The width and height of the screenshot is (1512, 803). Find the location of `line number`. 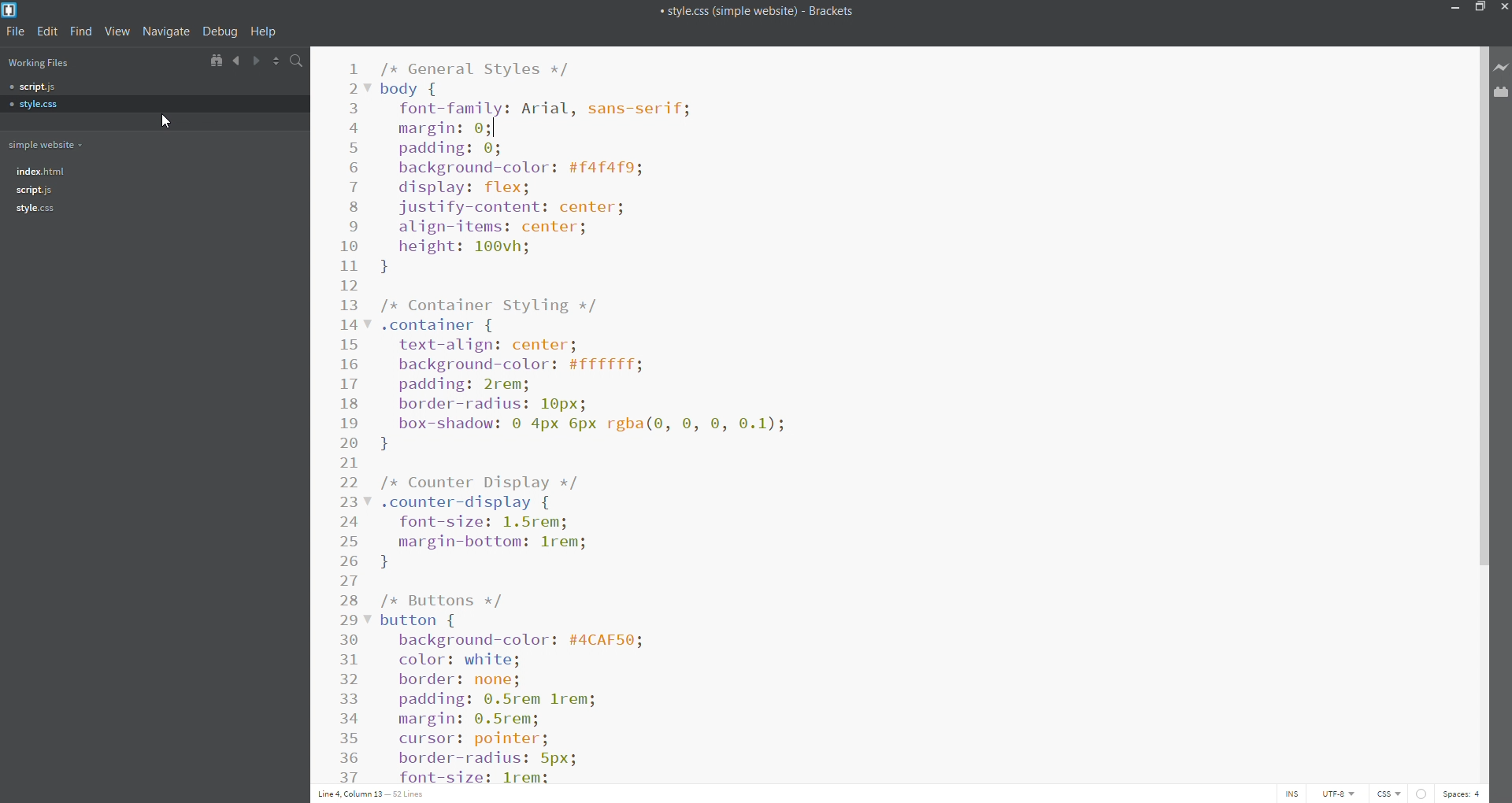

line number is located at coordinates (351, 415).